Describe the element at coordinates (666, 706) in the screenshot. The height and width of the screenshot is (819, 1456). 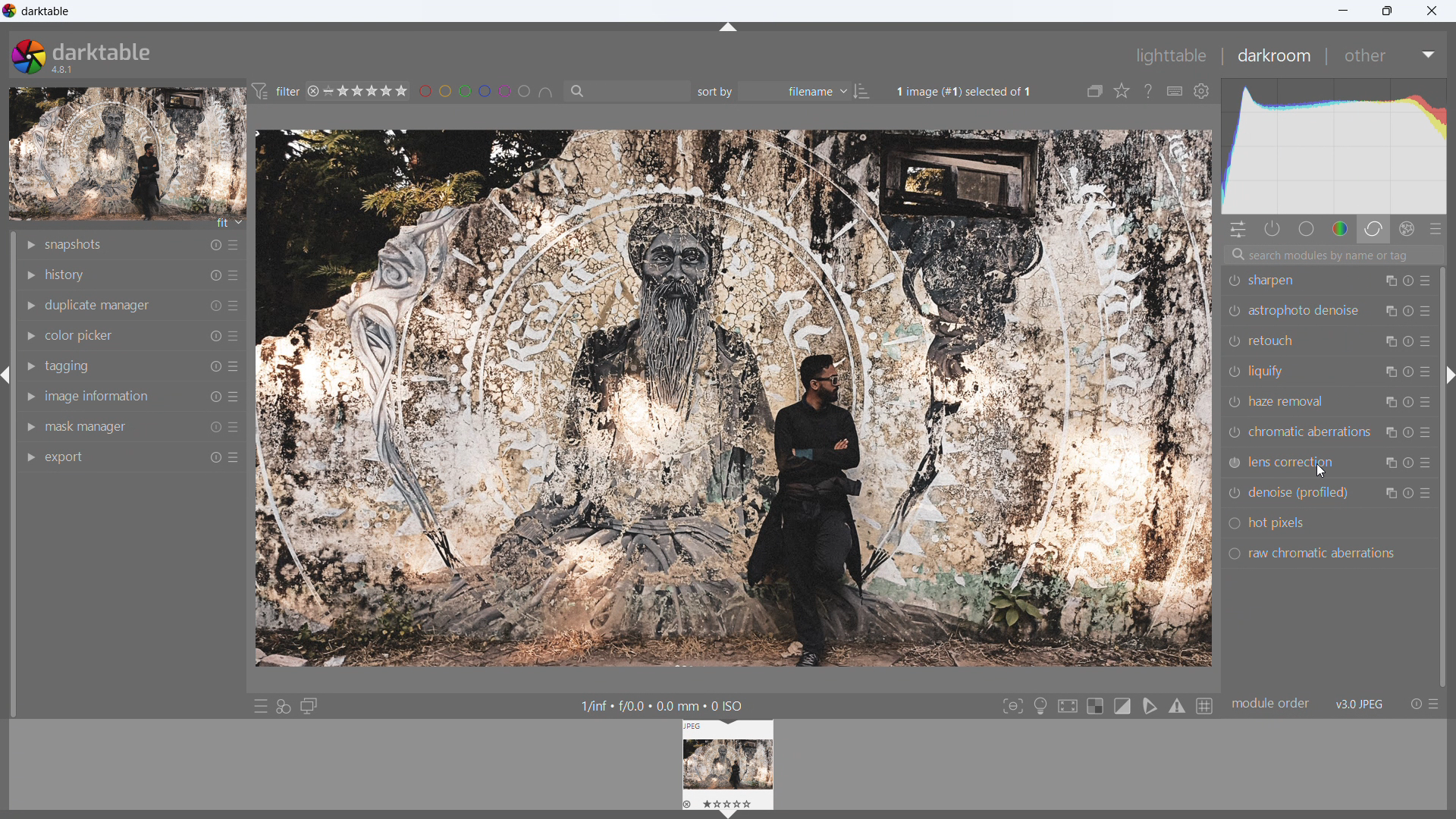
I see `1/inf + £/0.0 + 0.0 mm + 0 ISO` at that location.